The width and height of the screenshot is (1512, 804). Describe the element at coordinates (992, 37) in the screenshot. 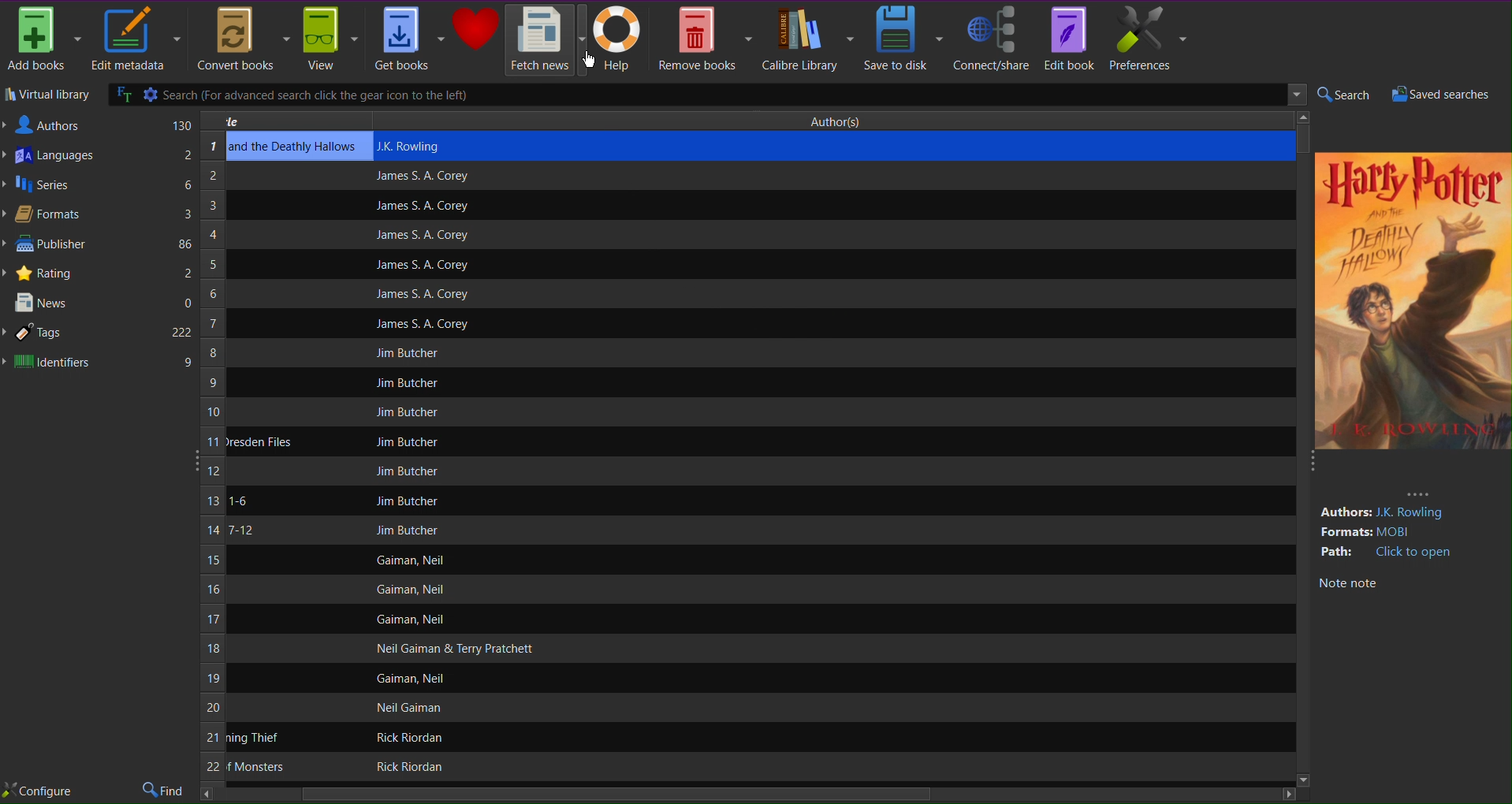

I see `Connect/Share` at that location.